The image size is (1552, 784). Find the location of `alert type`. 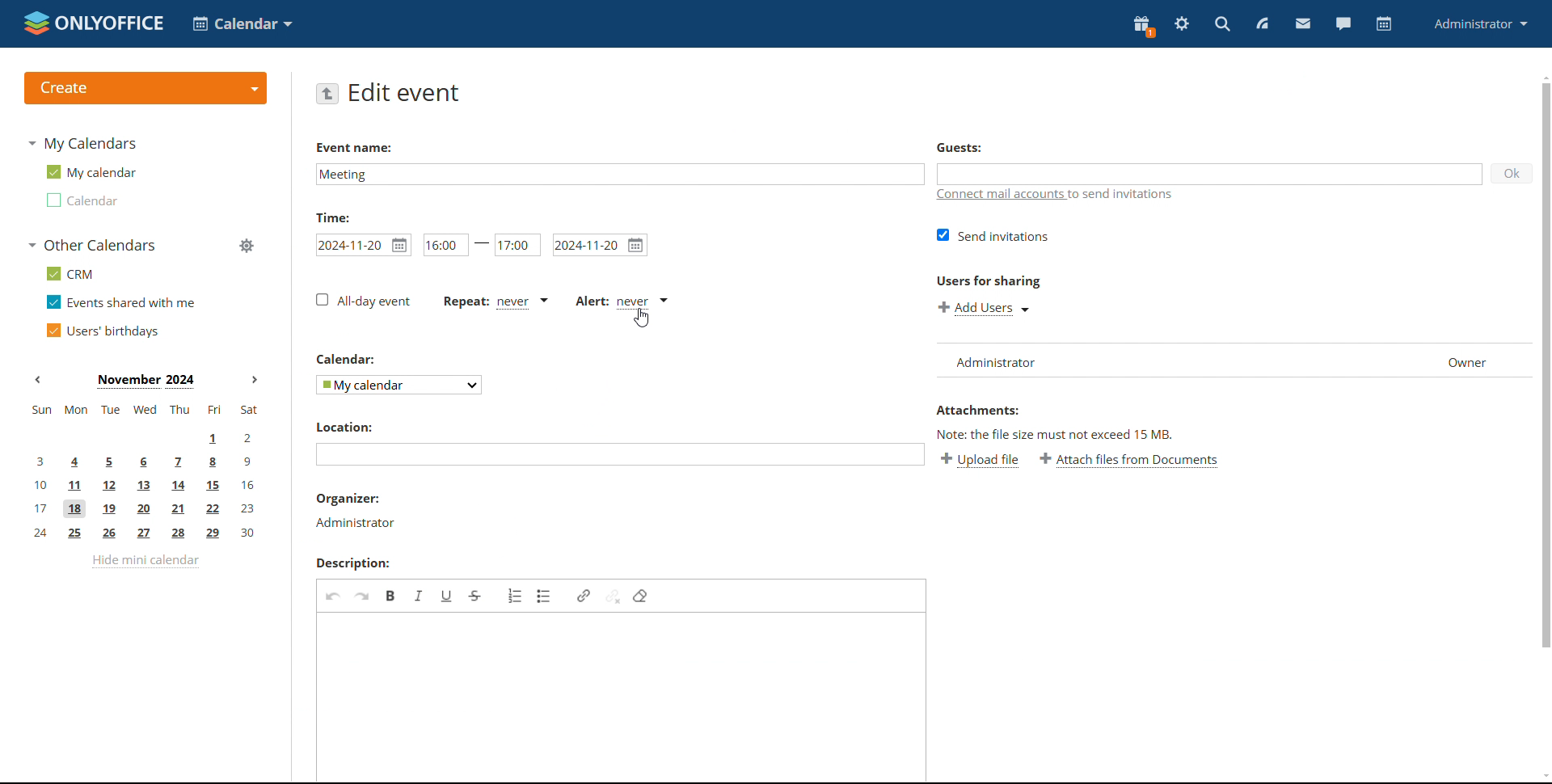

alert type is located at coordinates (622, 301).